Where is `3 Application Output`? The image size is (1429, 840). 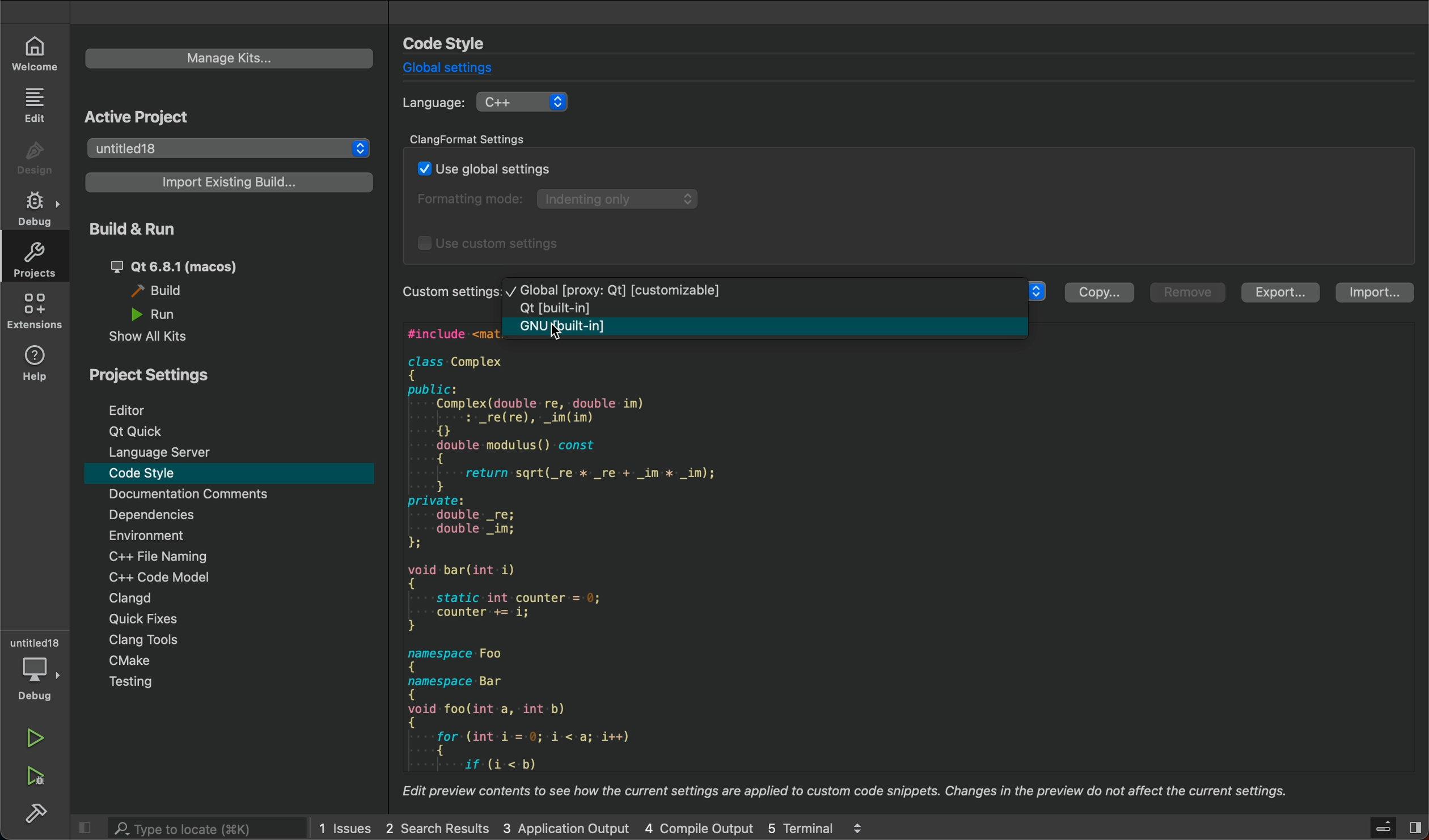 3 Application Output is located at coordinates (564, 826).